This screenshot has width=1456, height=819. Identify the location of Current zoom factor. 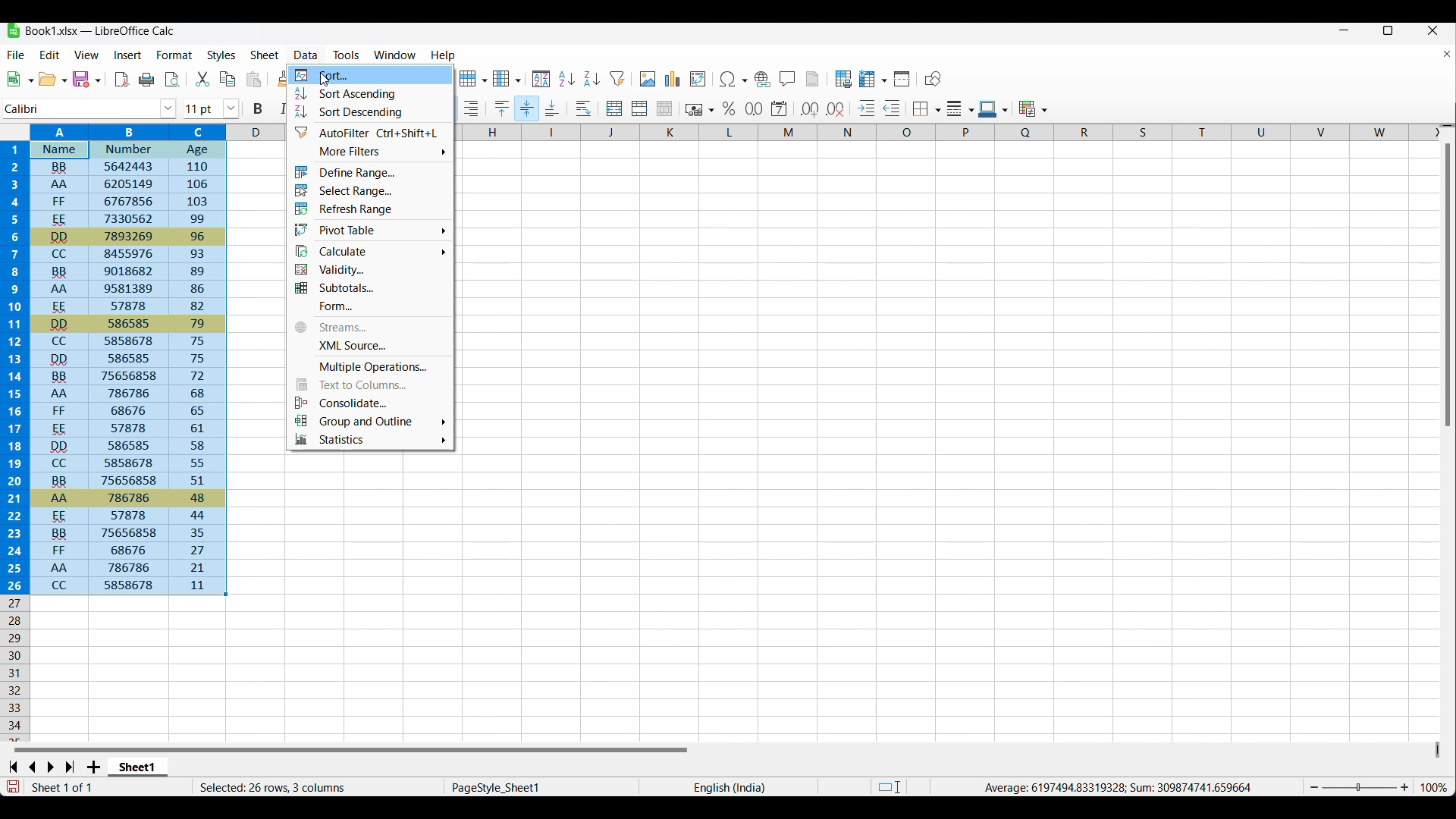
(1434, 787).